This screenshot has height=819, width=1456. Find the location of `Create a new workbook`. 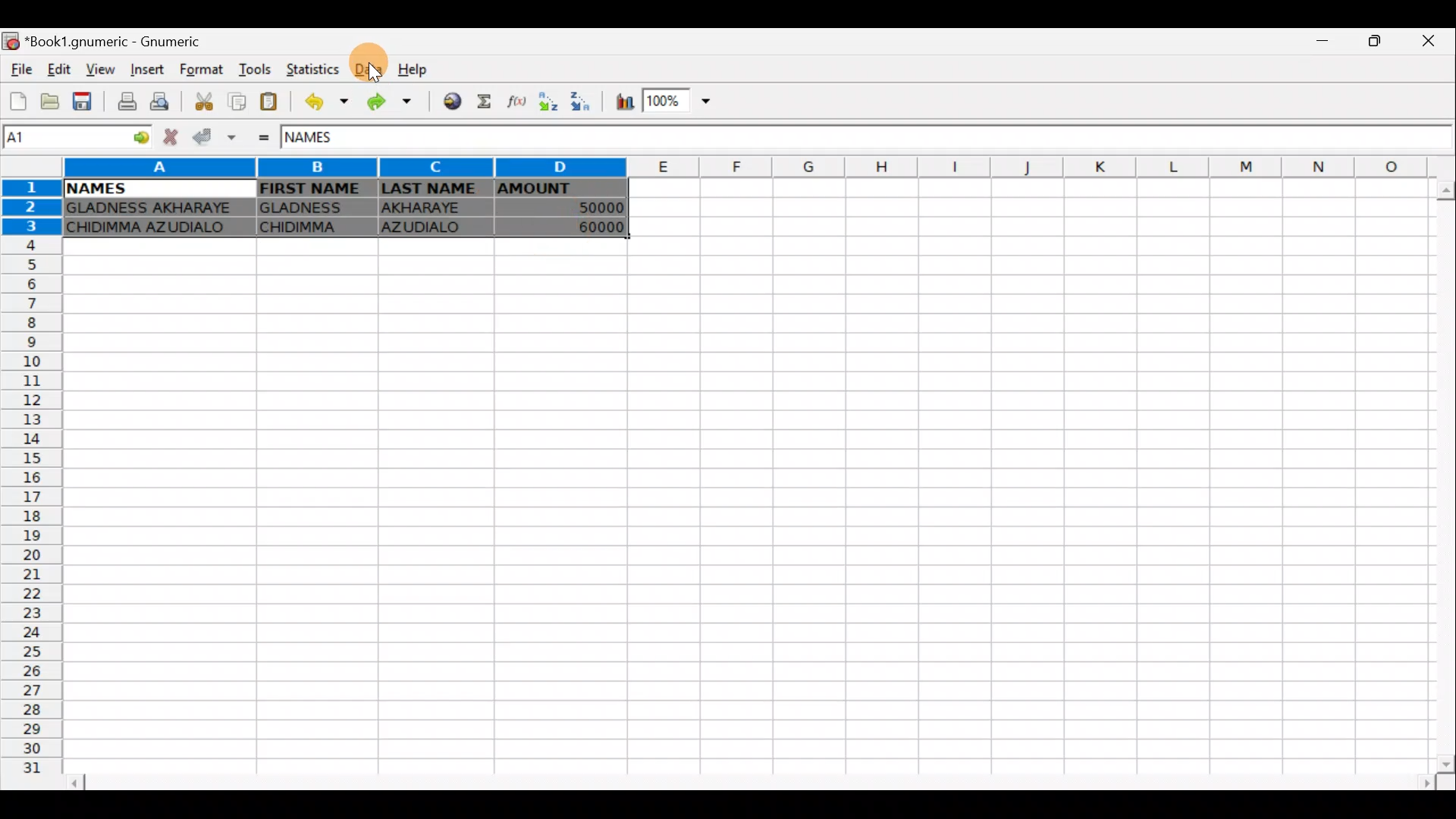

Create a new workbook is located at coordinates (19, 101).